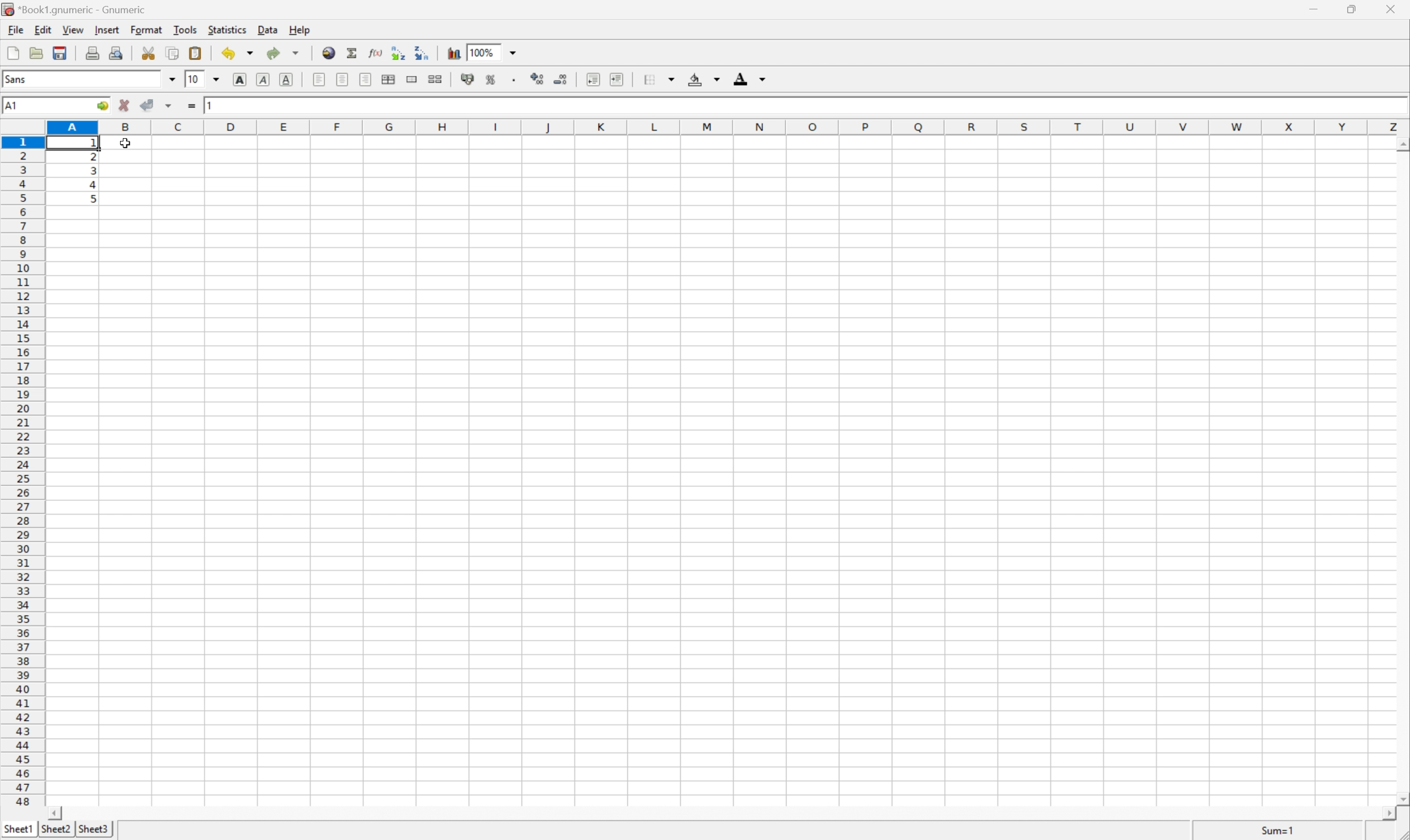  What do you see at coordinates (562, 78) in the screenshot?
I see `Decrease the decimals displayed` at bounding box center [562, 78].